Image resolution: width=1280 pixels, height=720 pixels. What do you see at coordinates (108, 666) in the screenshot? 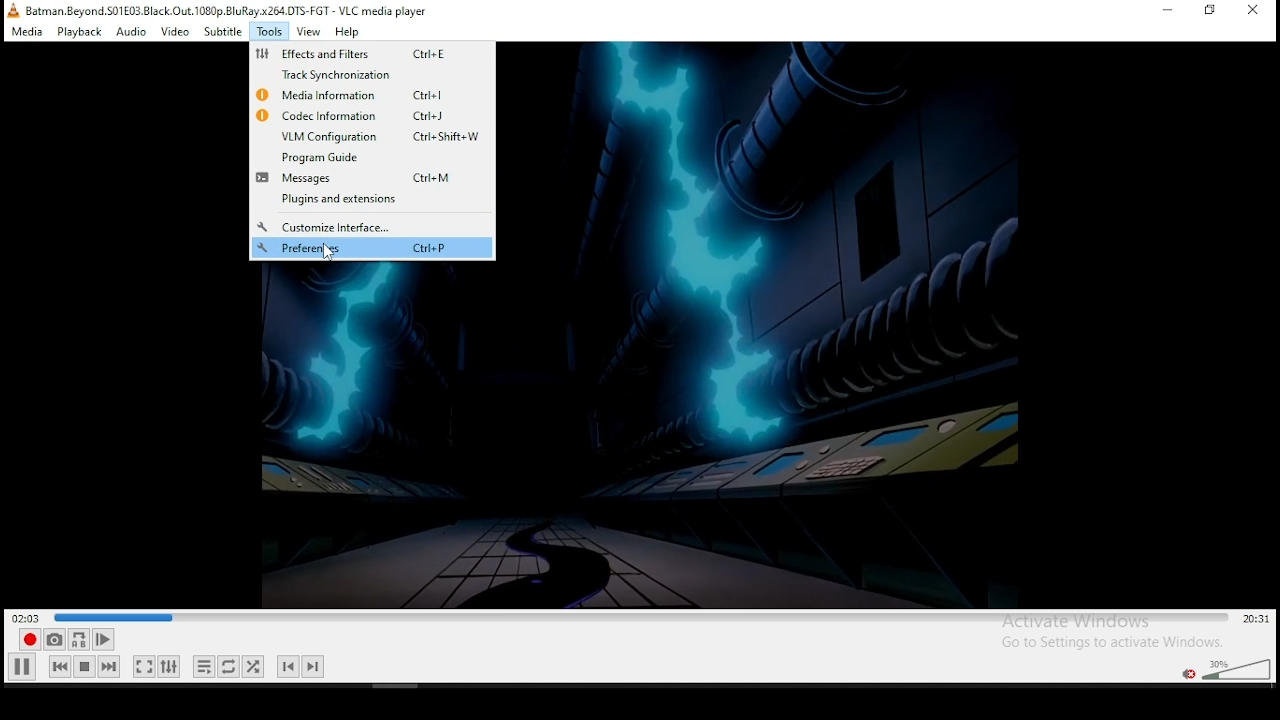
I see `next track in playlist. Skips forward when held` at bounding box center [108, 666].